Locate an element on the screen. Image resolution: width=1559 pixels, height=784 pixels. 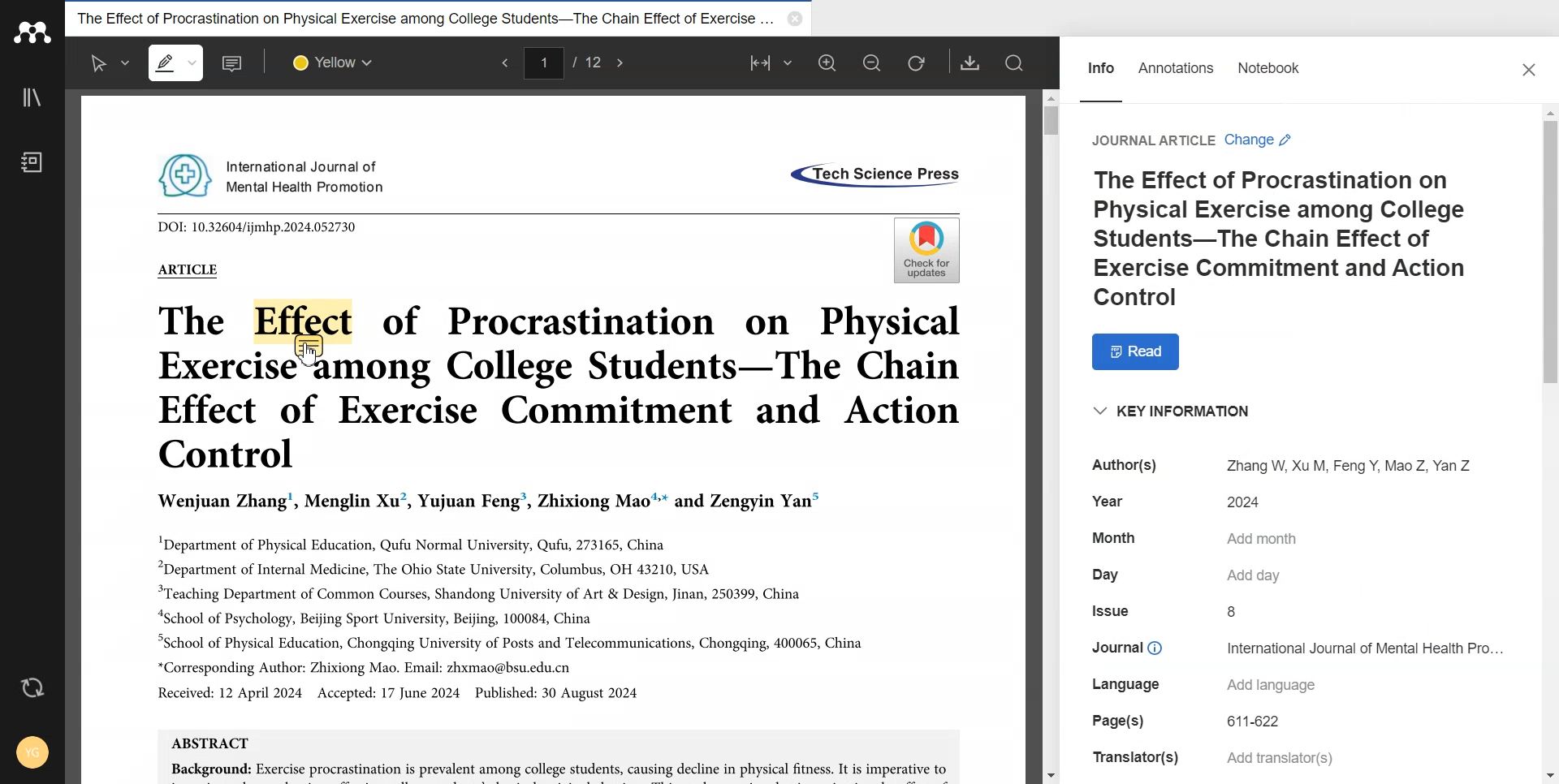
“KEY INFORMATION is located at coordinates (1174, 415).